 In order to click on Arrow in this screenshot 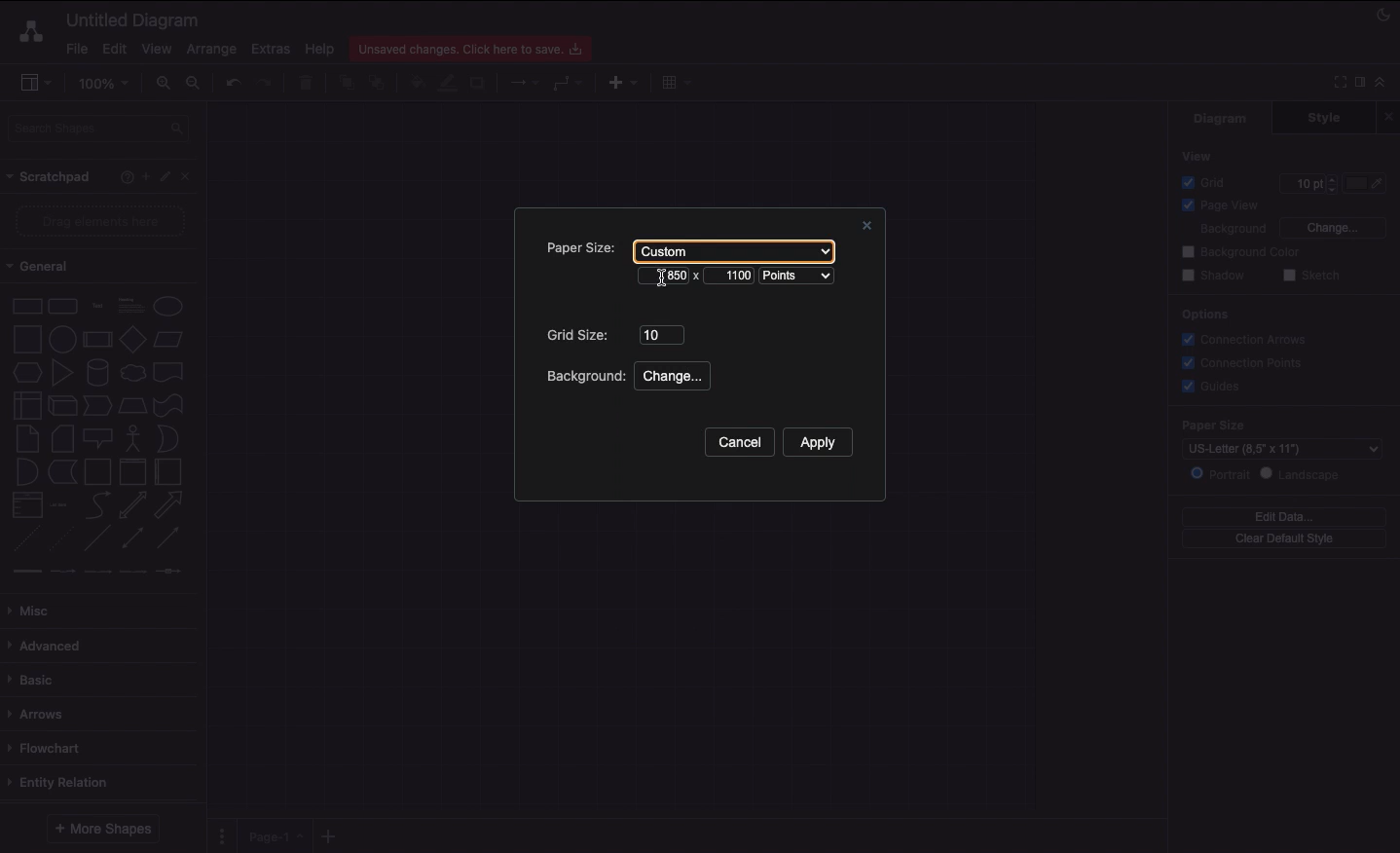, I will do `click(169, 505)`.